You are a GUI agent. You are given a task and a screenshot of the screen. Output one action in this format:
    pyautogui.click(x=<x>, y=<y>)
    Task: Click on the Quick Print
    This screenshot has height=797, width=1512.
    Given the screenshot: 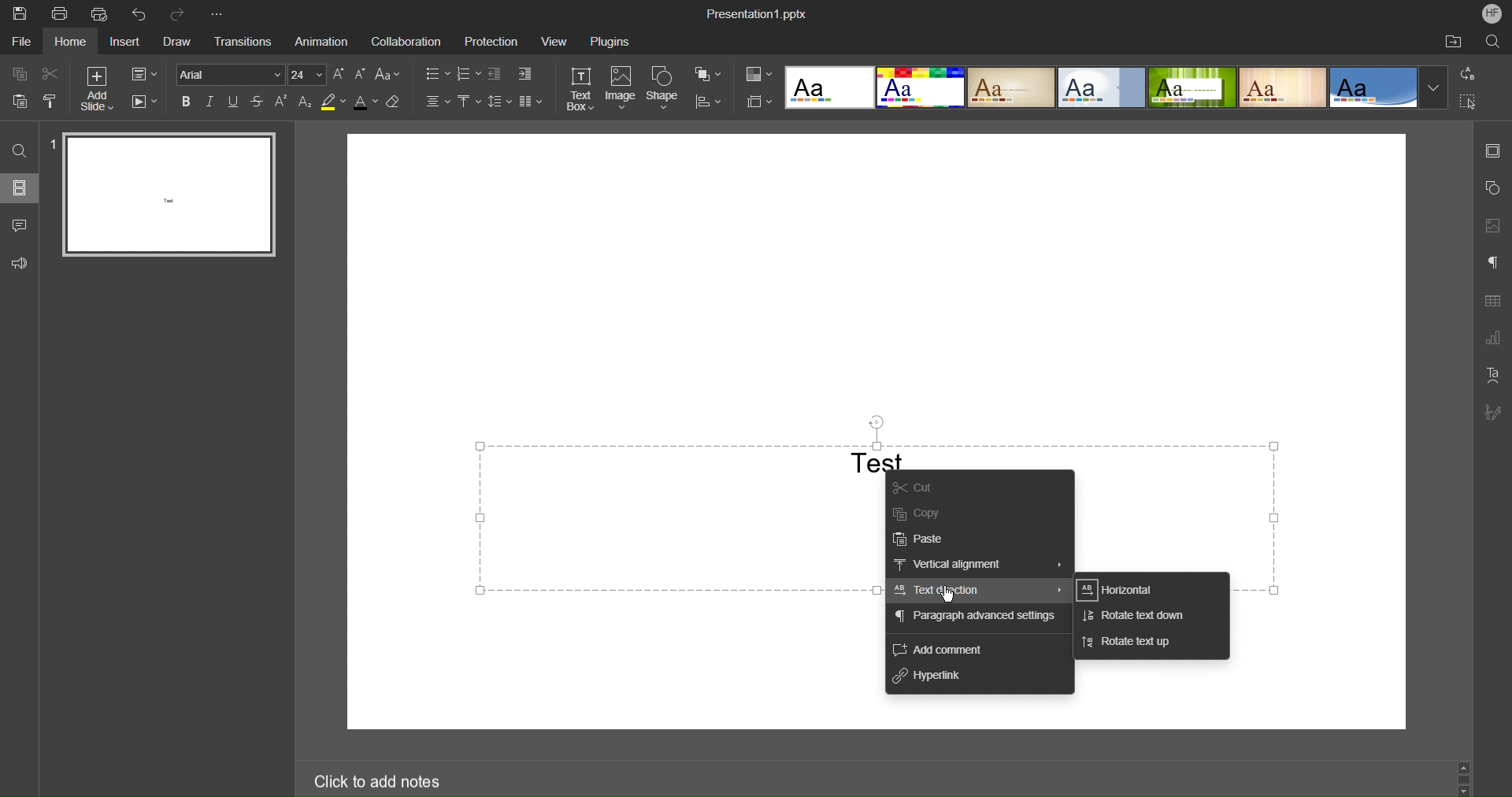 What is the action you would take?
    pyautogui.click(x=102, y=13)
    